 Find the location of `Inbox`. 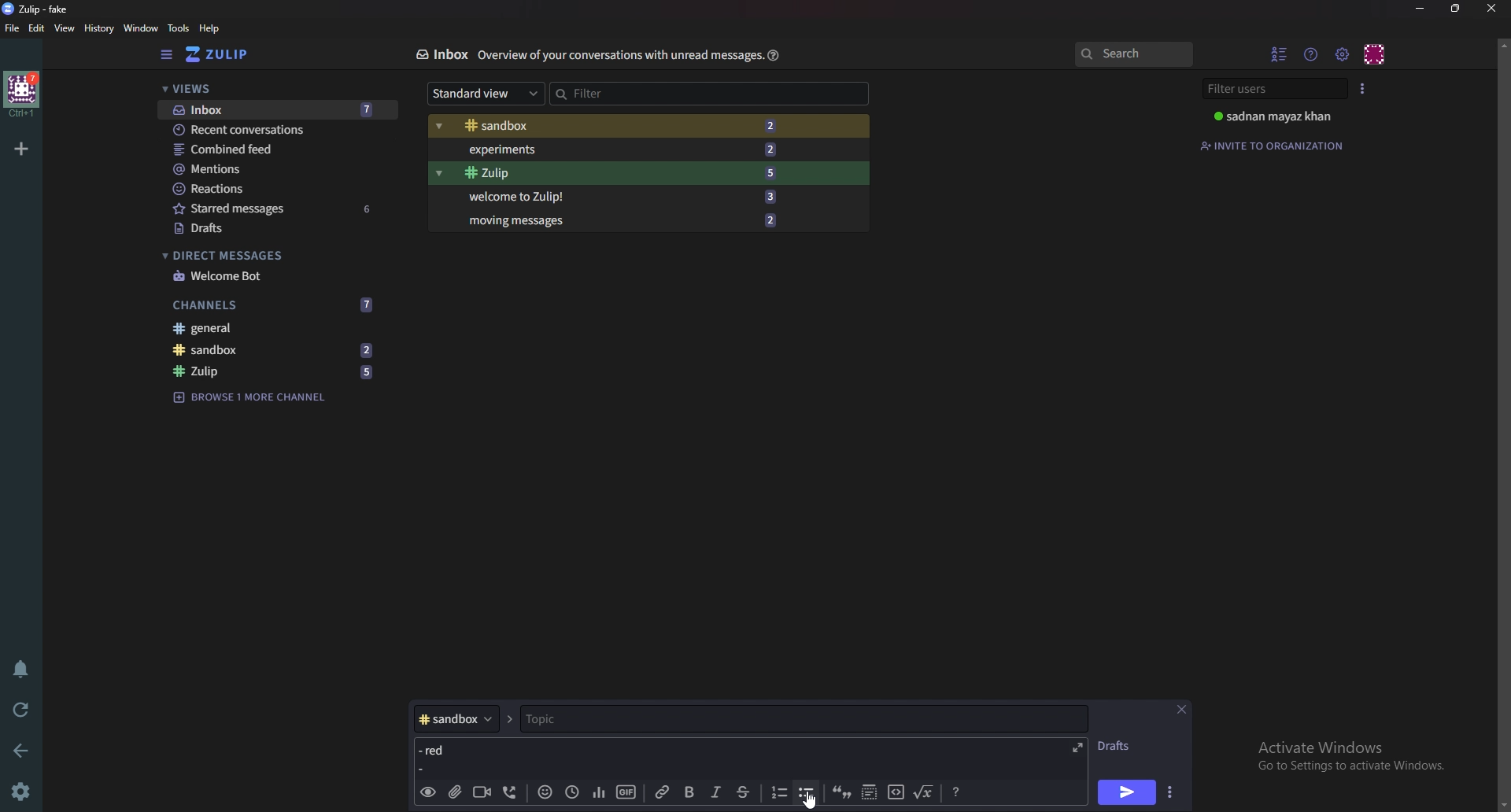

Inbox is located at coordinates (276, 111).